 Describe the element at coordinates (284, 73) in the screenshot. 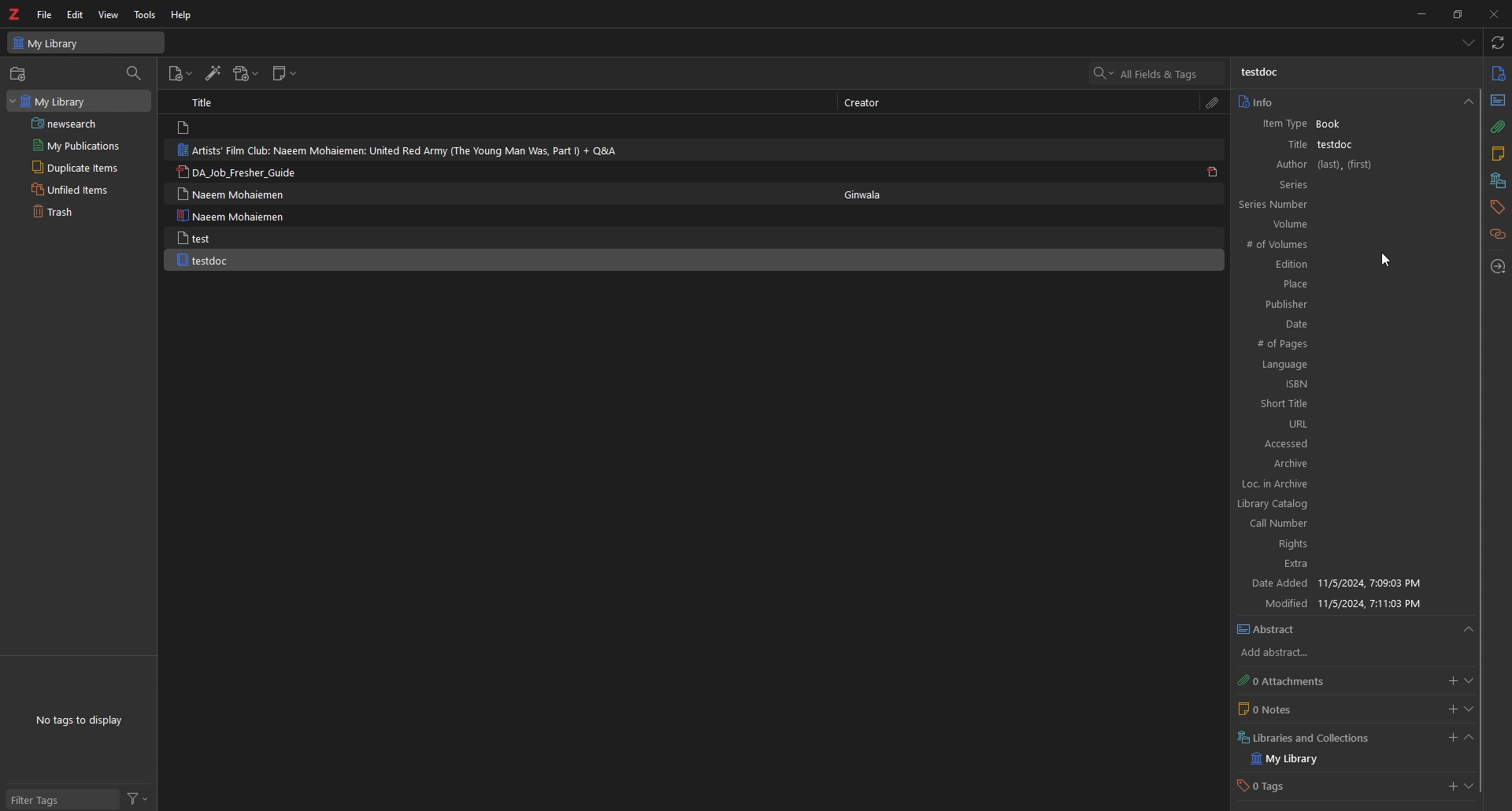

I see `new note` at that location.